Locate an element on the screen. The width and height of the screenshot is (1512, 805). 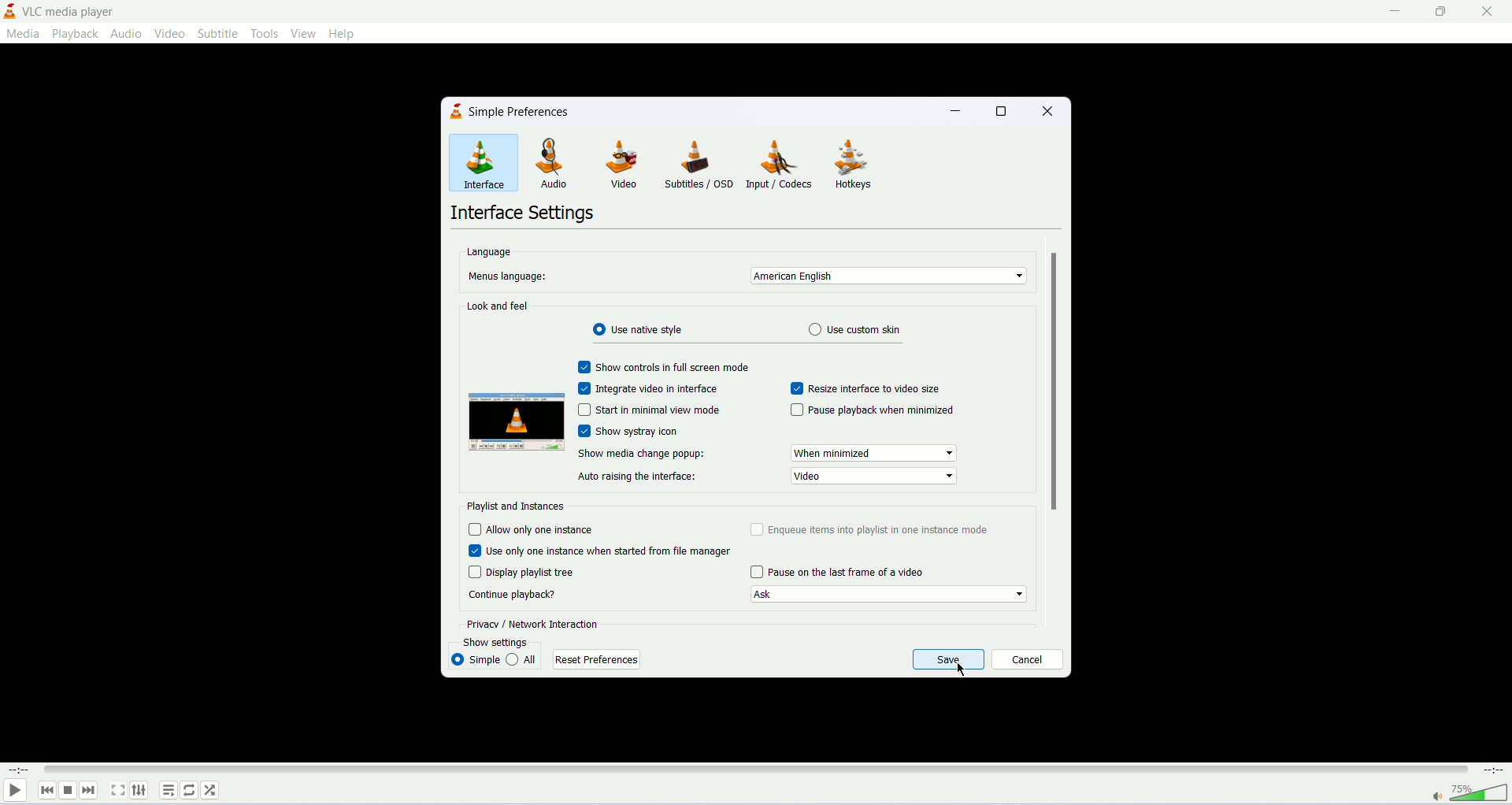
use custom skin is located at coordinates (859, 330).